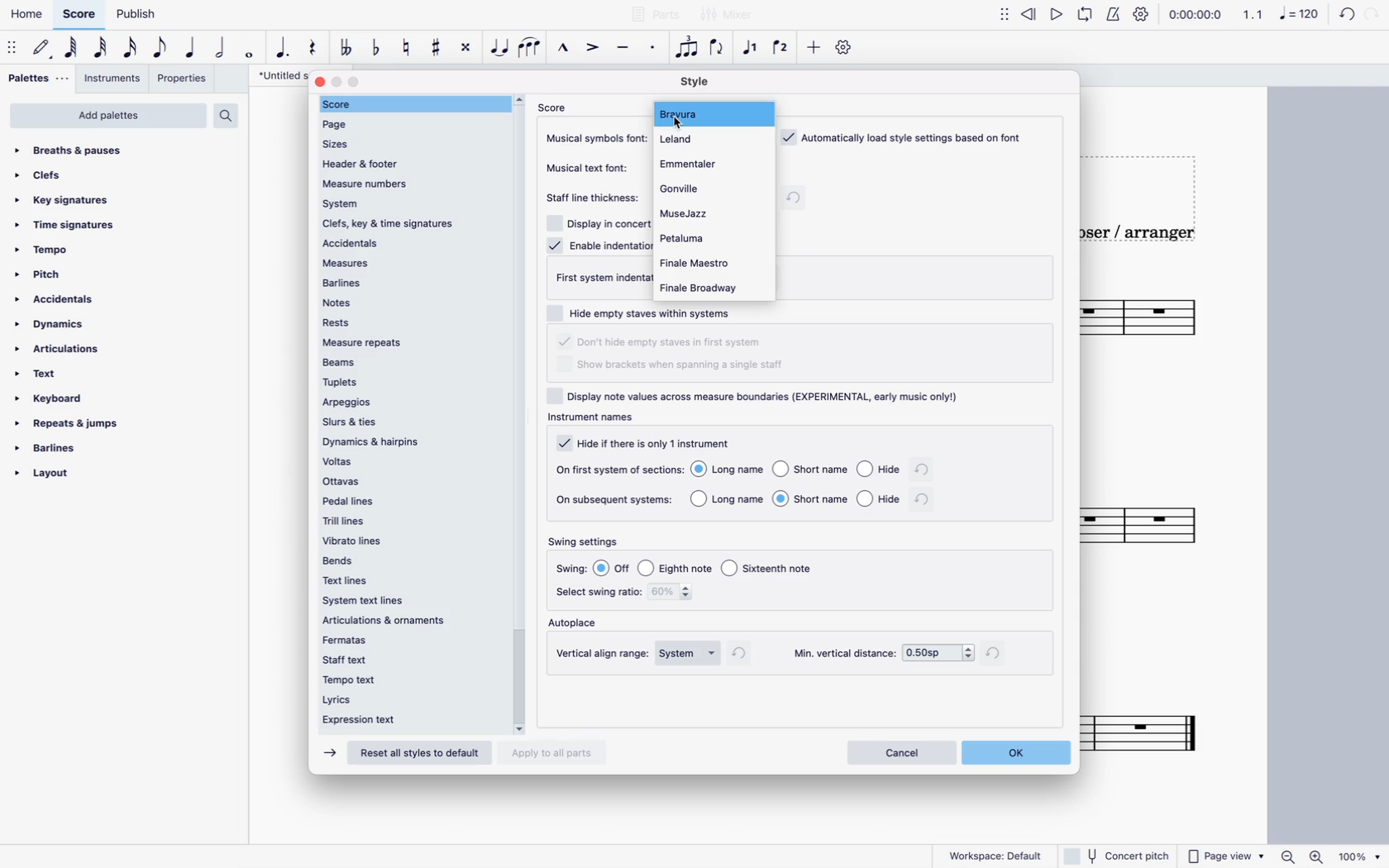 The width and height of the screenshot is (1389, 868). I want to click on accidentals, so click(66, 301).